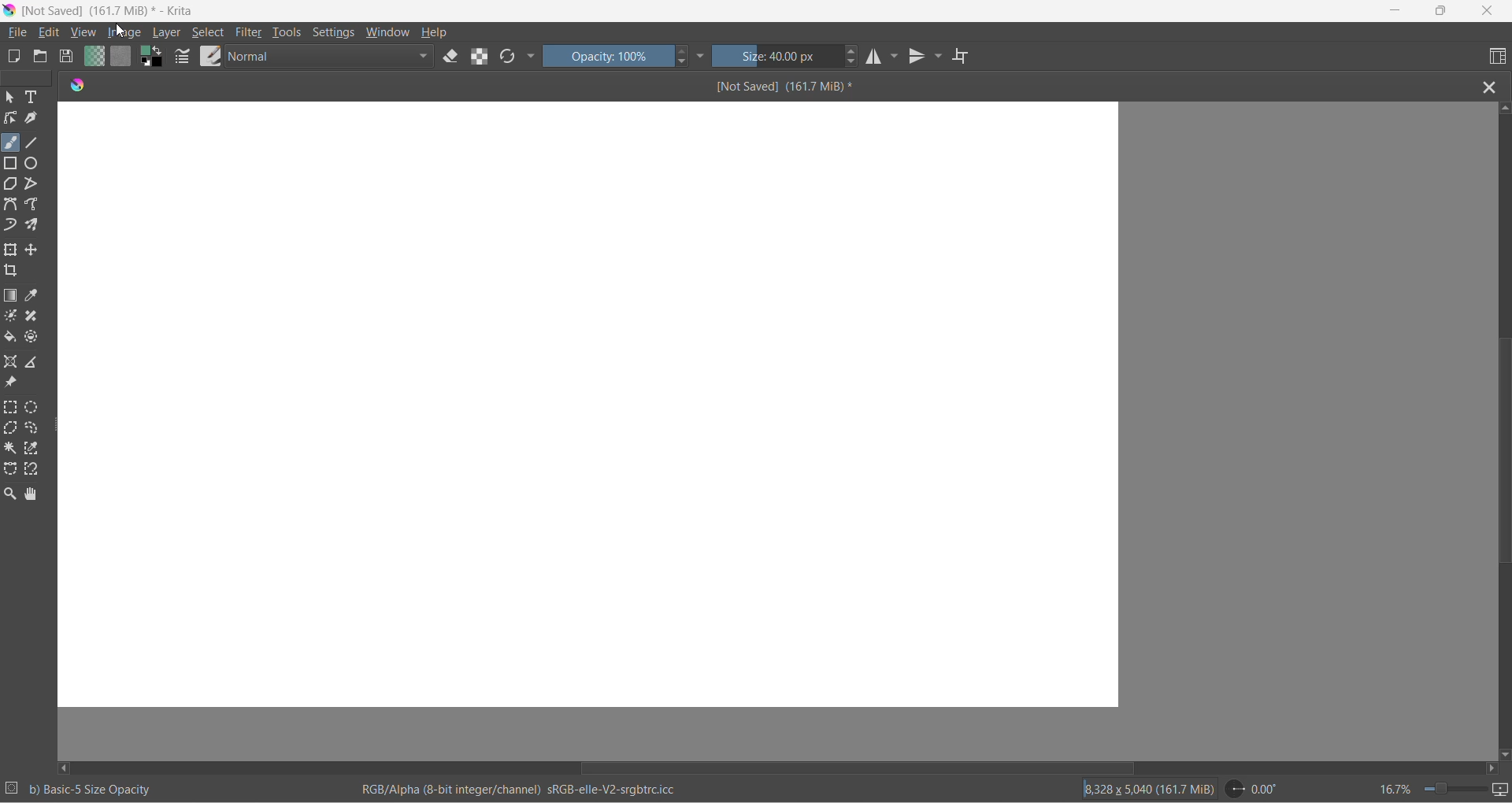  I want to click on ellipse tool, so click(37, 162).